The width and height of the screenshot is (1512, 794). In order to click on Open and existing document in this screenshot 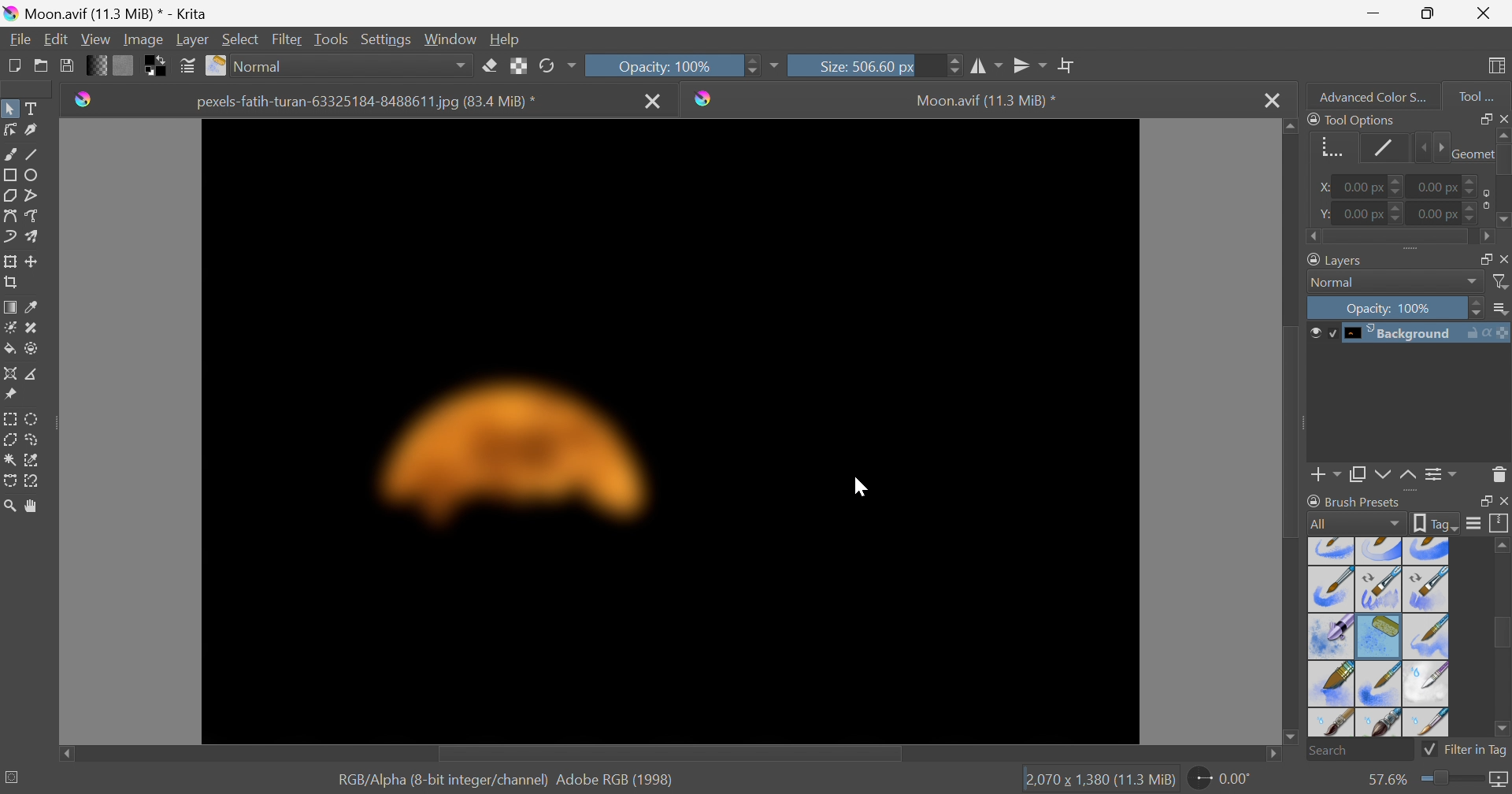, I will do `click(42, 65)`.